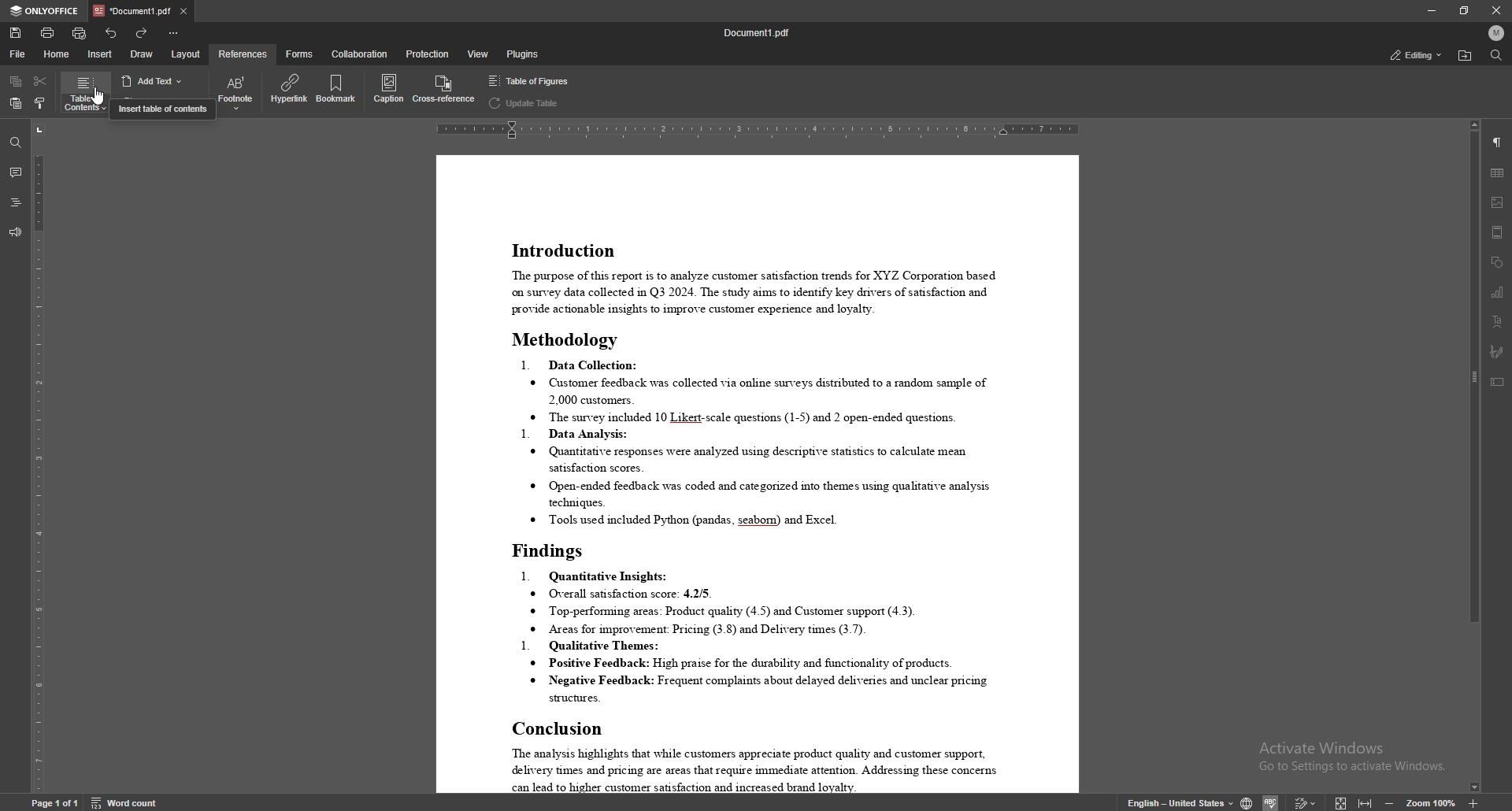 Image resolution: width=1512 pixels, height=811 pixels. I want to click on find location, so click(1466, 56).